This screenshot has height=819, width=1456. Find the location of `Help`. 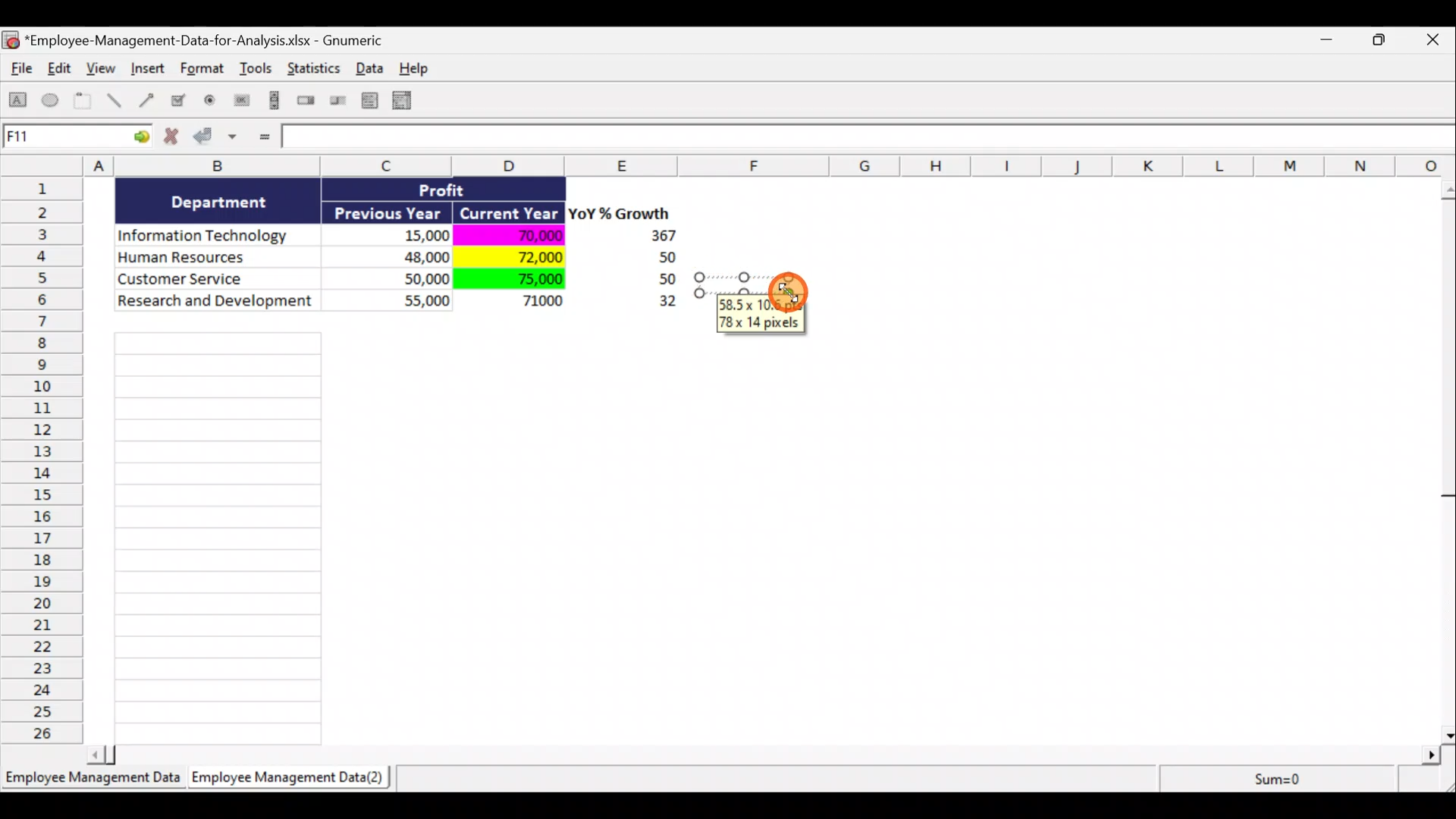

Help is located at coordinates (422, 68).